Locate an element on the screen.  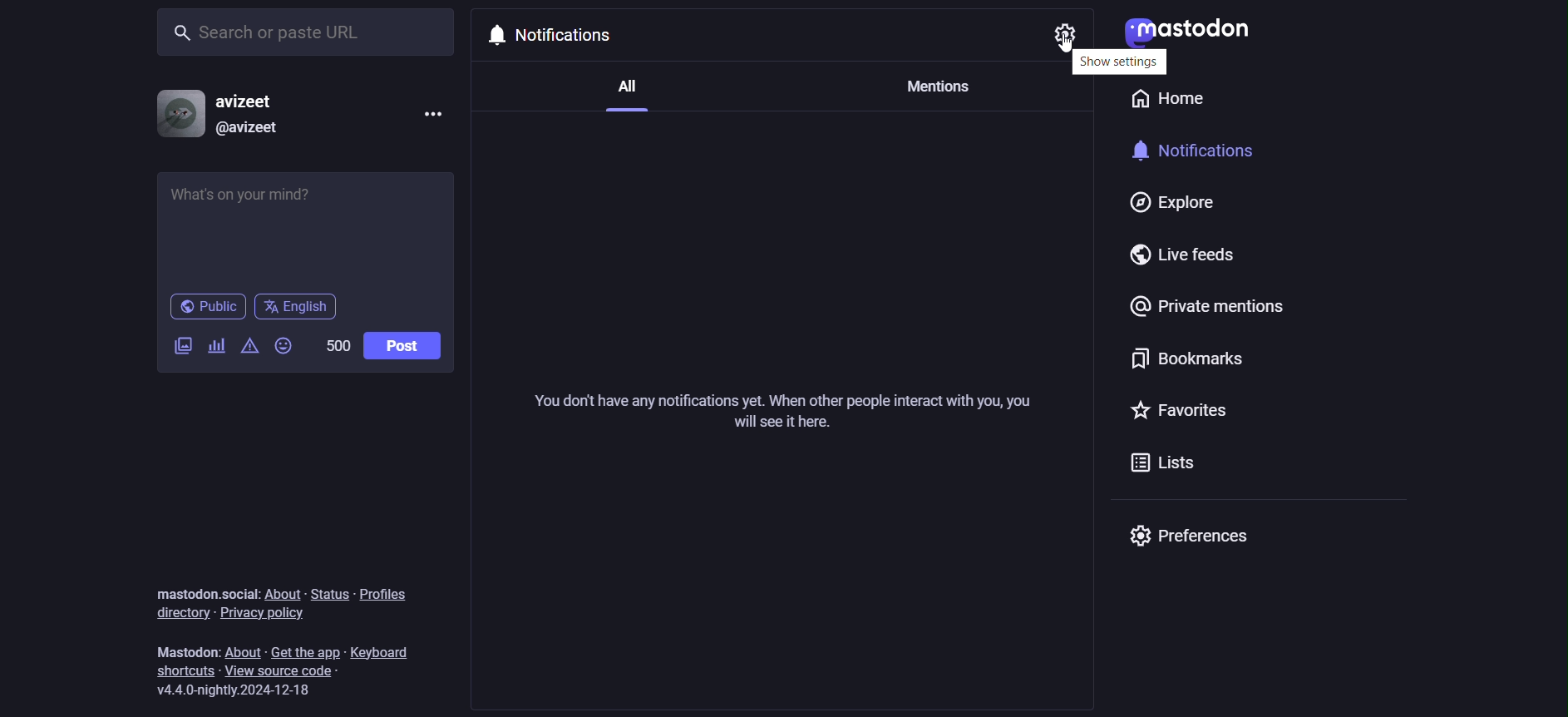
mastodon.social is located at coordinates (204, 591).